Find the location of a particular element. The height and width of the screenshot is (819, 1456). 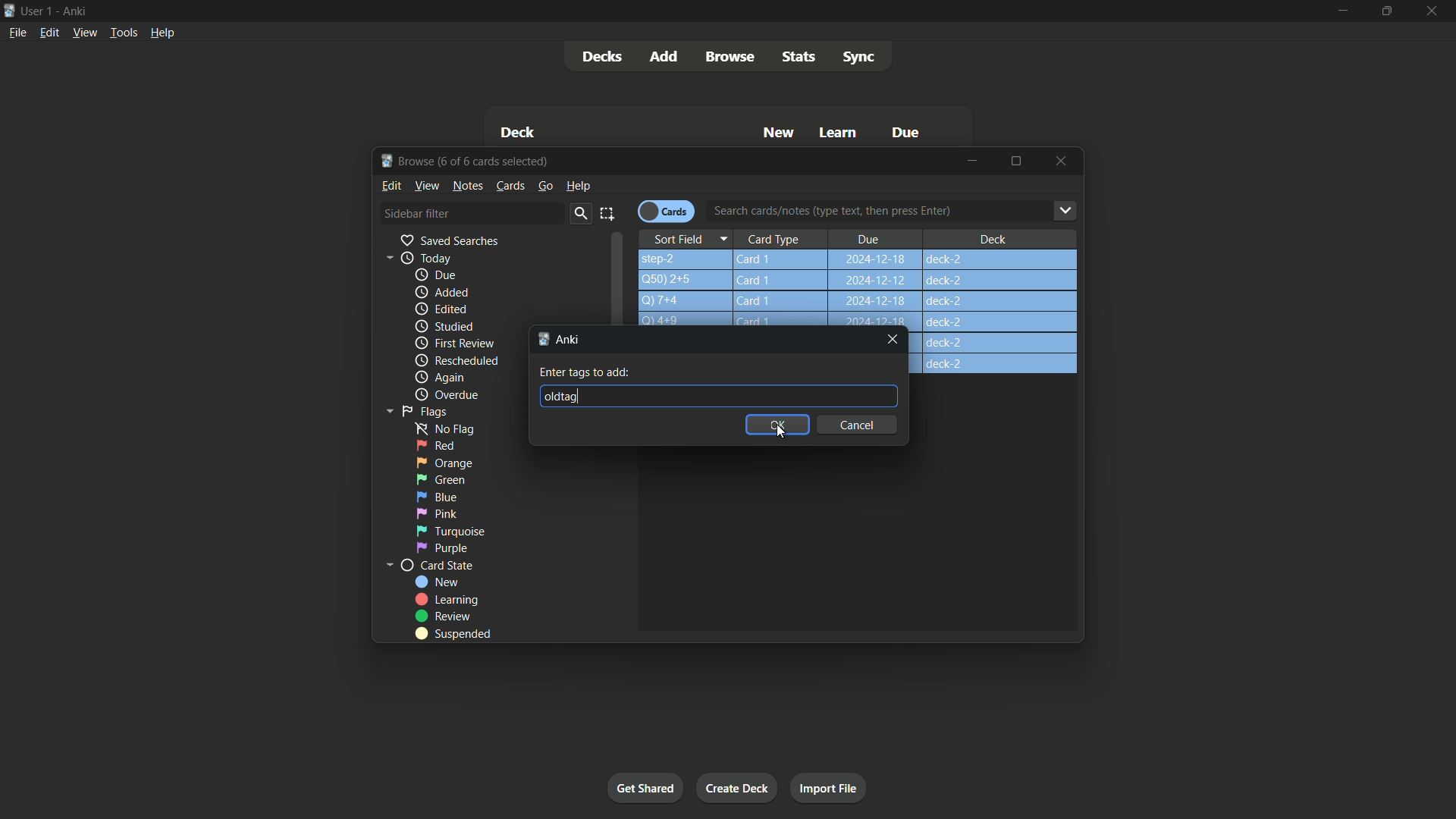

again is located at coordinates (439, 378).